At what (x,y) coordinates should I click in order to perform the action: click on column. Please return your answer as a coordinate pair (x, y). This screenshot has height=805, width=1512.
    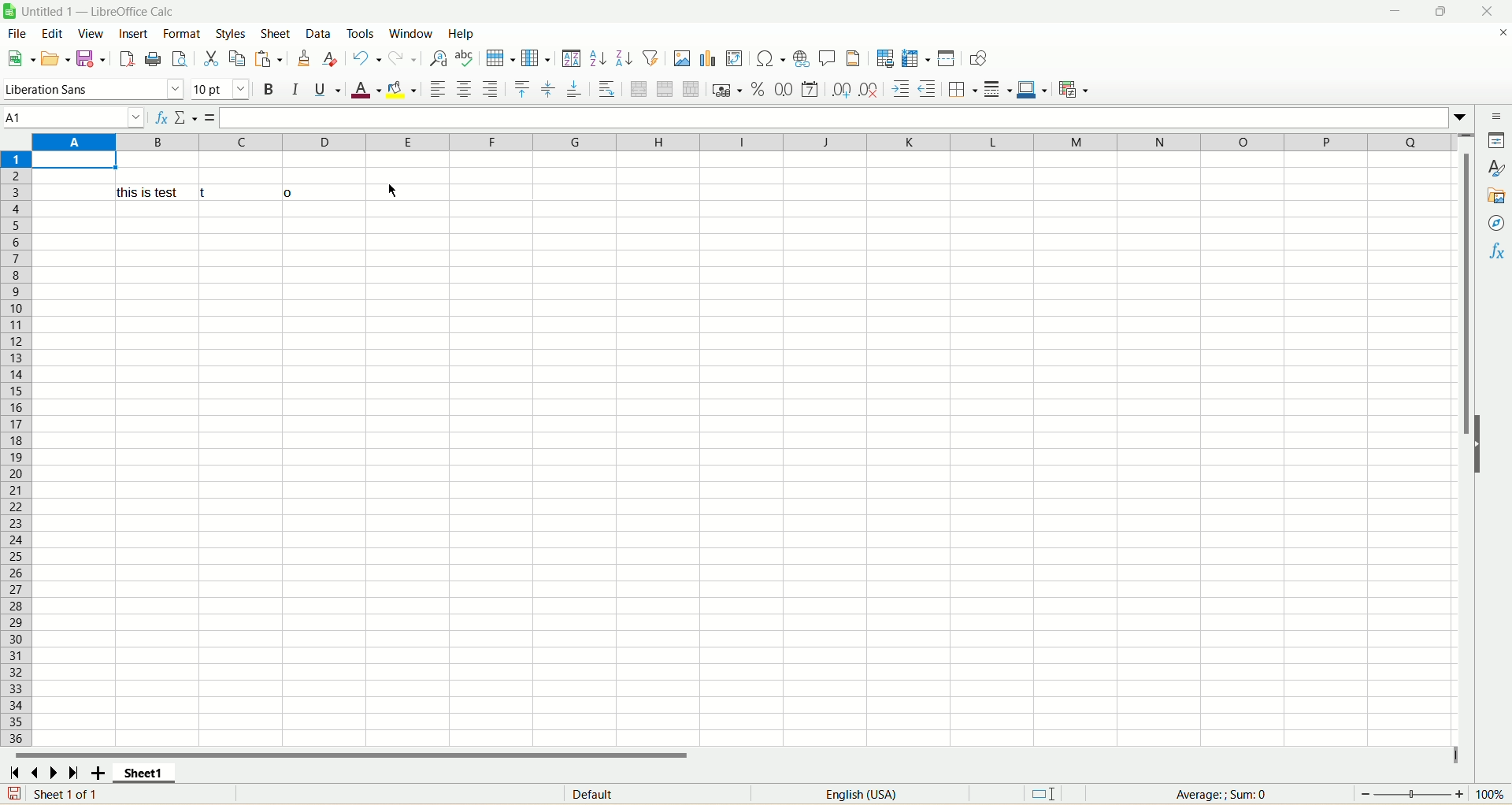
    Looking at the image, I should click on (537, 57).